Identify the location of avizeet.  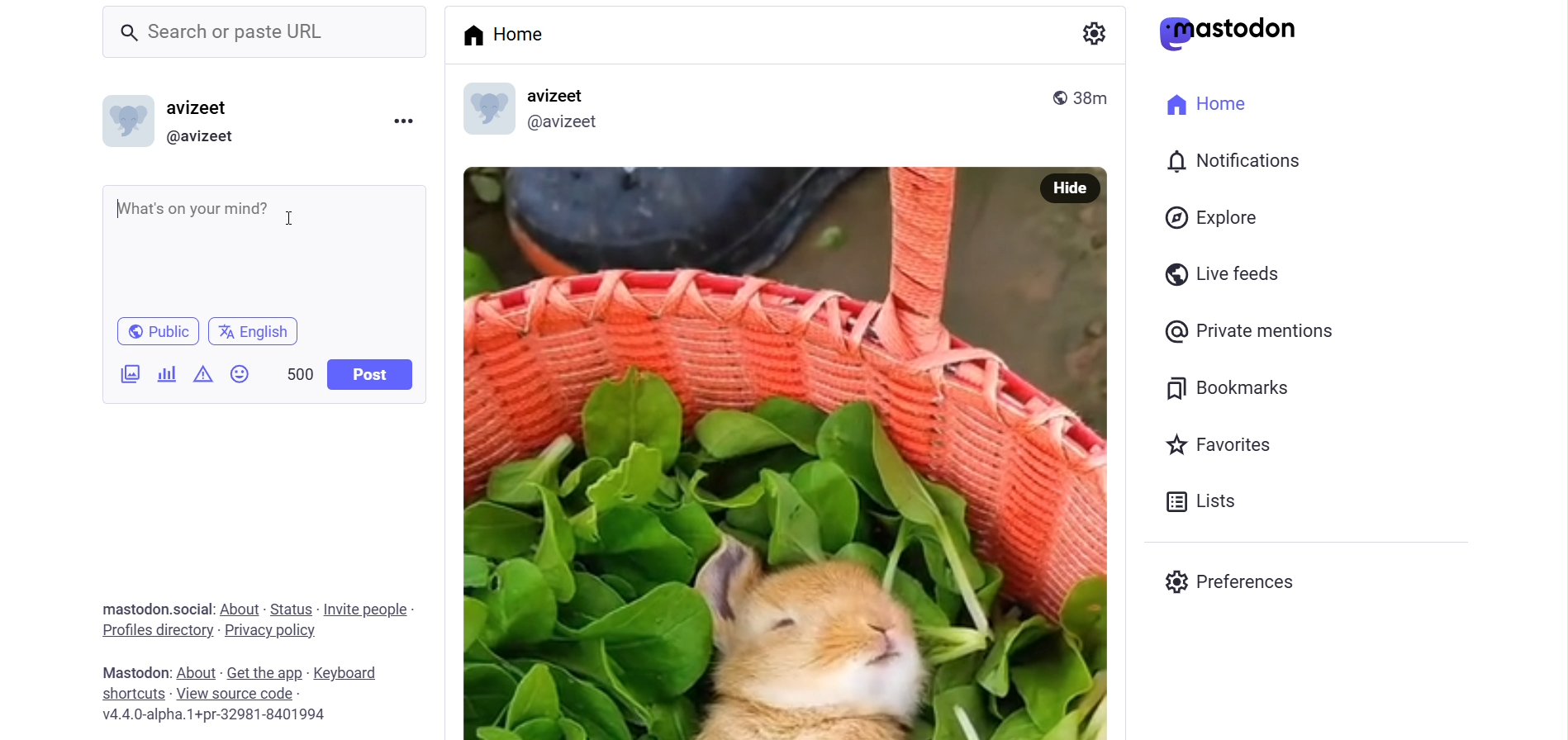
(573, 93).